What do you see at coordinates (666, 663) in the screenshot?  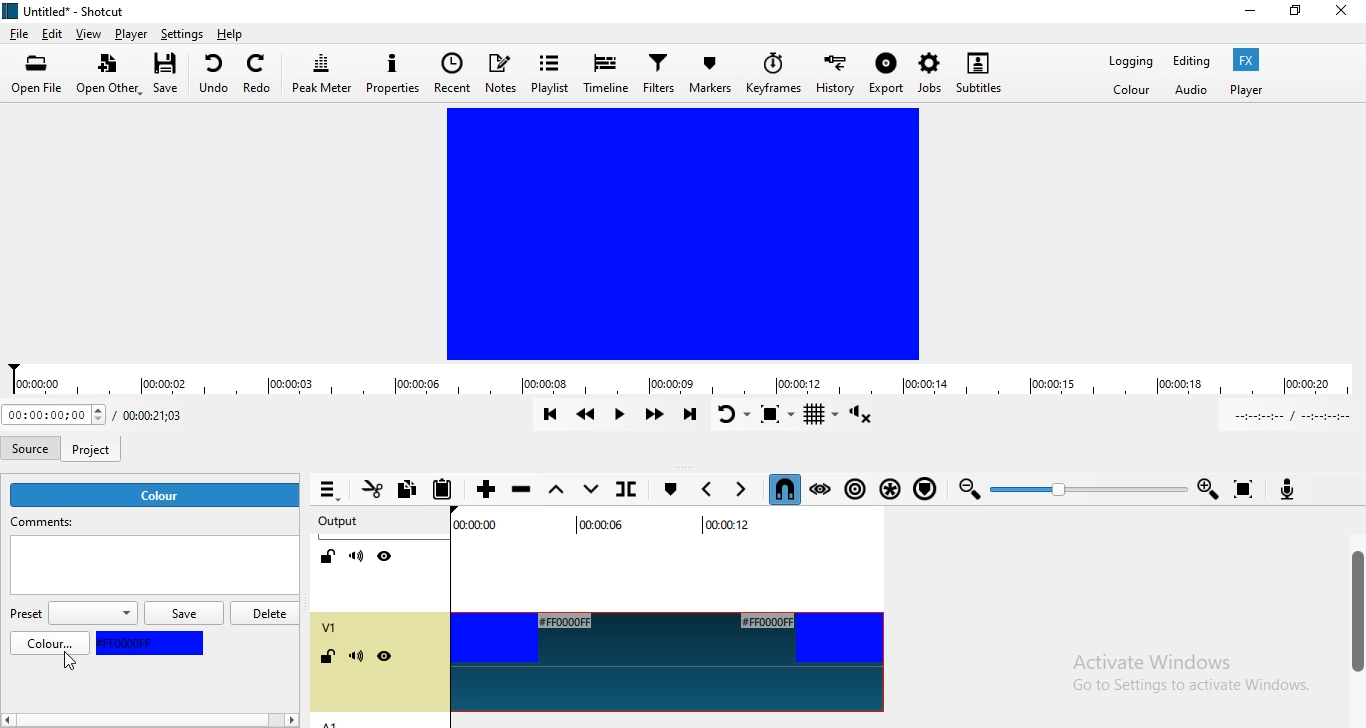 I see `video track` at bounding box center [666, 663].